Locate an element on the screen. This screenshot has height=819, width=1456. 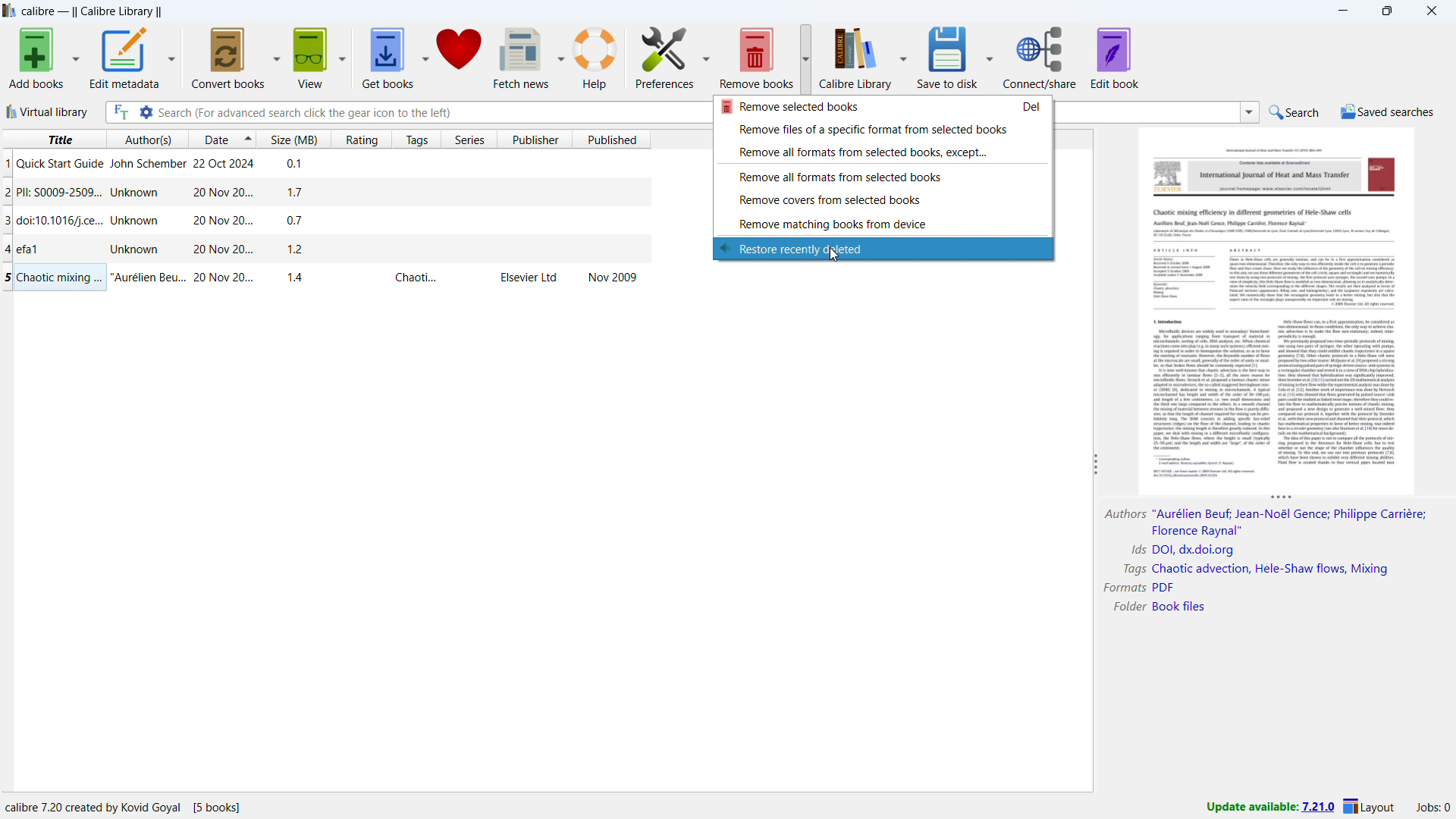
sort by tags is located at coordinates (418, 139).